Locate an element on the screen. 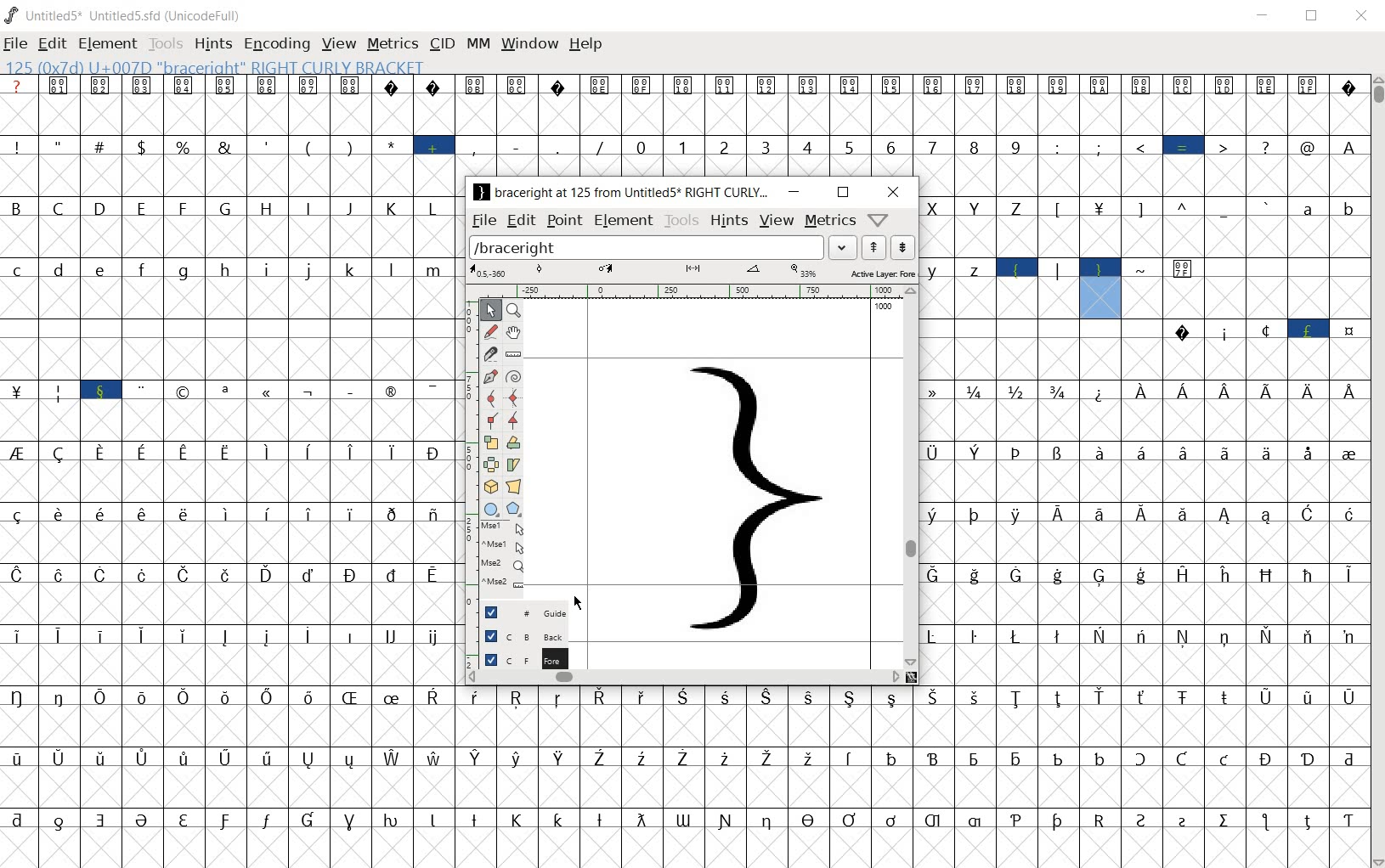 This screenshot has width=1385, height=868. show the next word on the list is located at coordinates (872, 247).